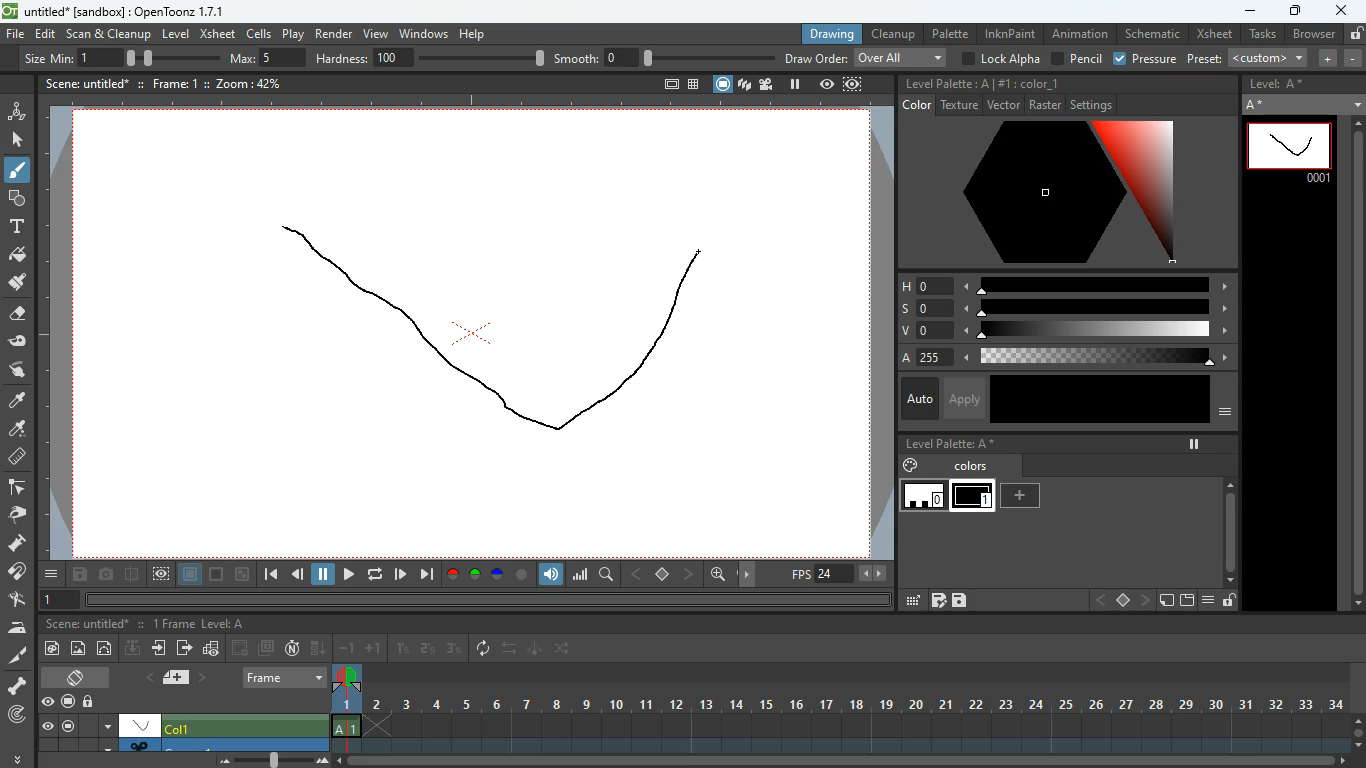  Describe the element at coordinates (292, 648) in the screenshot. I see `n` at that location.